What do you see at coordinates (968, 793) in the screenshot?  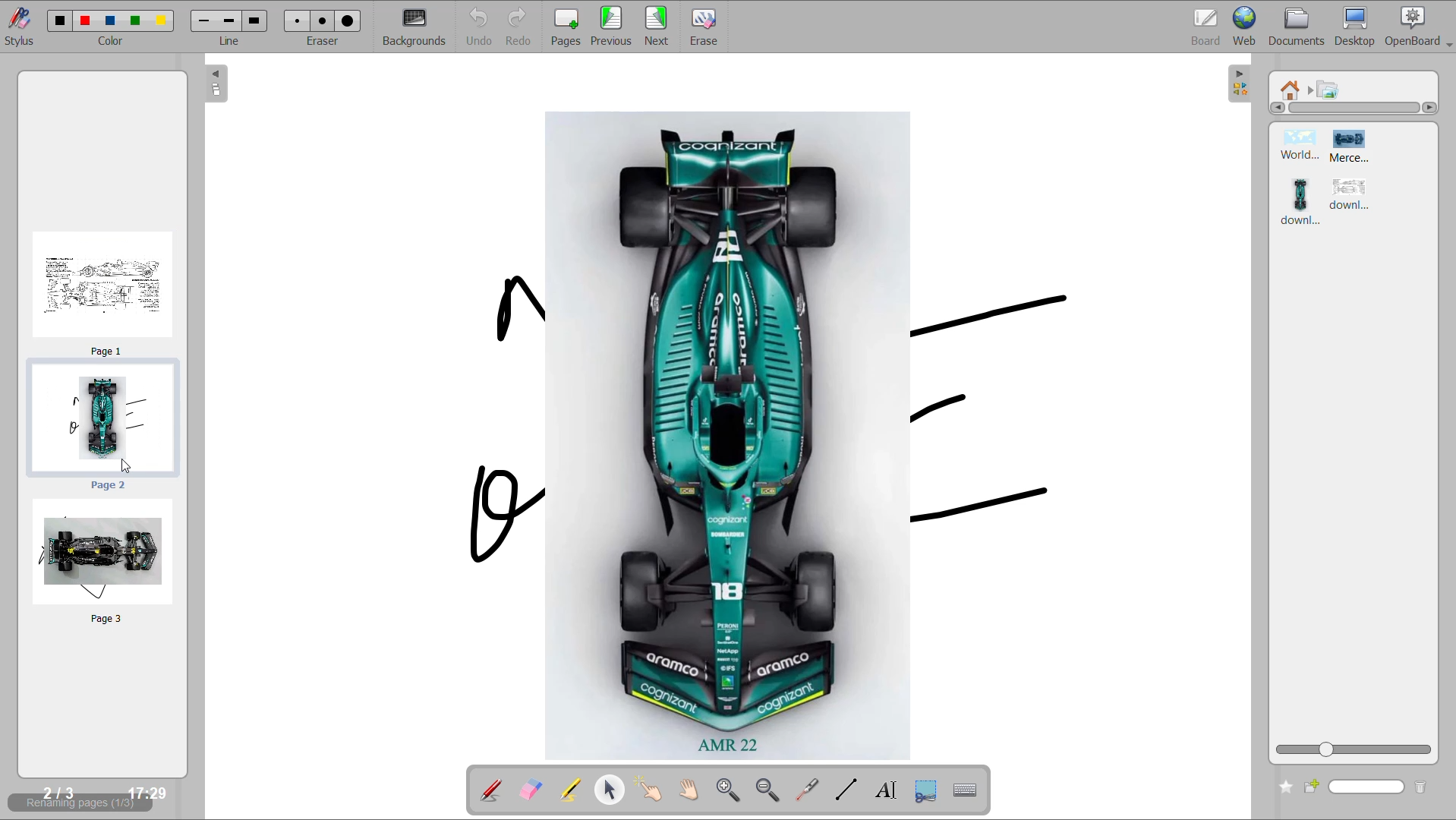 I see `create virtual keyboard` at bounding box center [968, 793].